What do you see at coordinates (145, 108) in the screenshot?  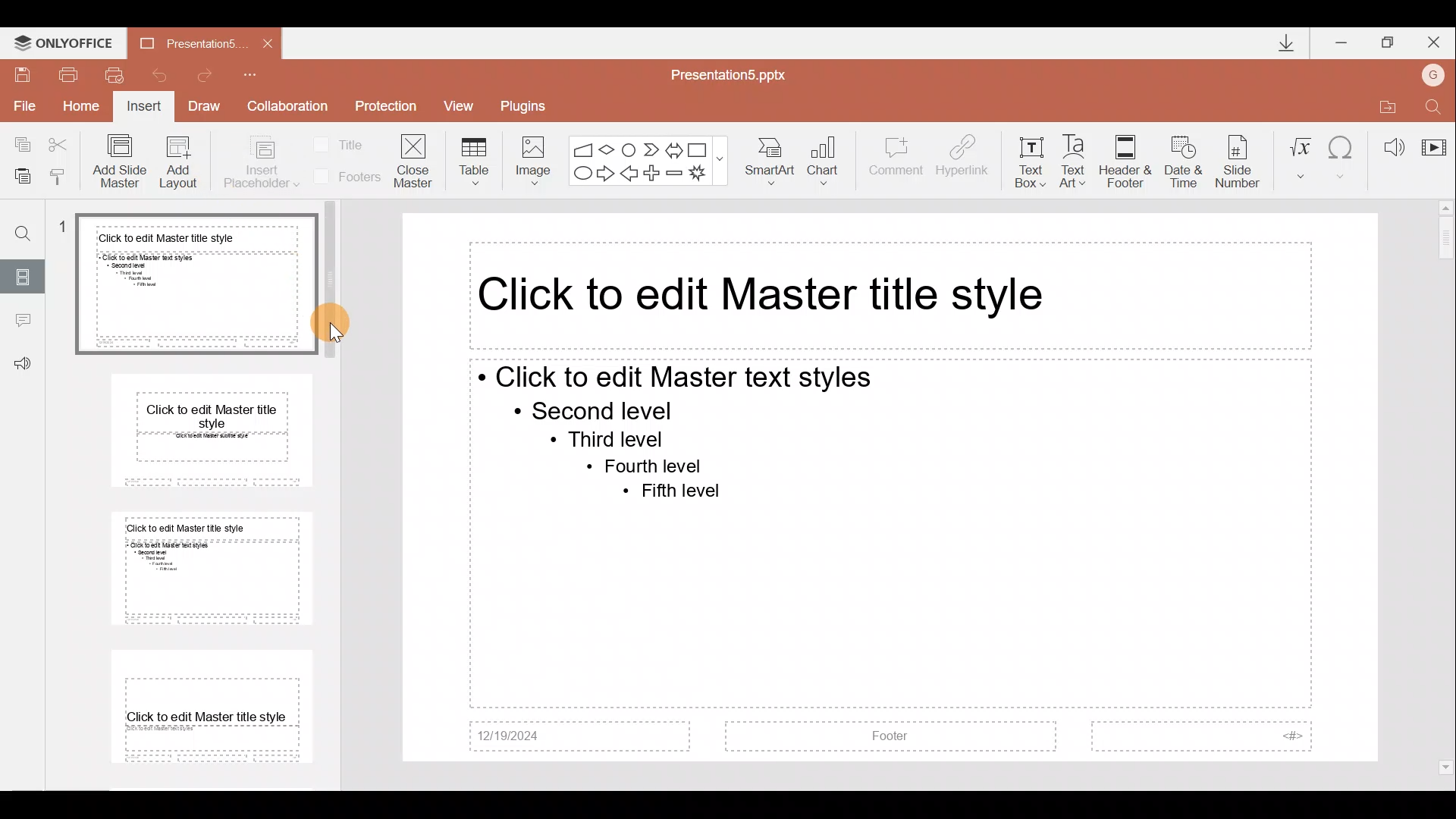 I see `Insert` at bounding box center [145, 108].